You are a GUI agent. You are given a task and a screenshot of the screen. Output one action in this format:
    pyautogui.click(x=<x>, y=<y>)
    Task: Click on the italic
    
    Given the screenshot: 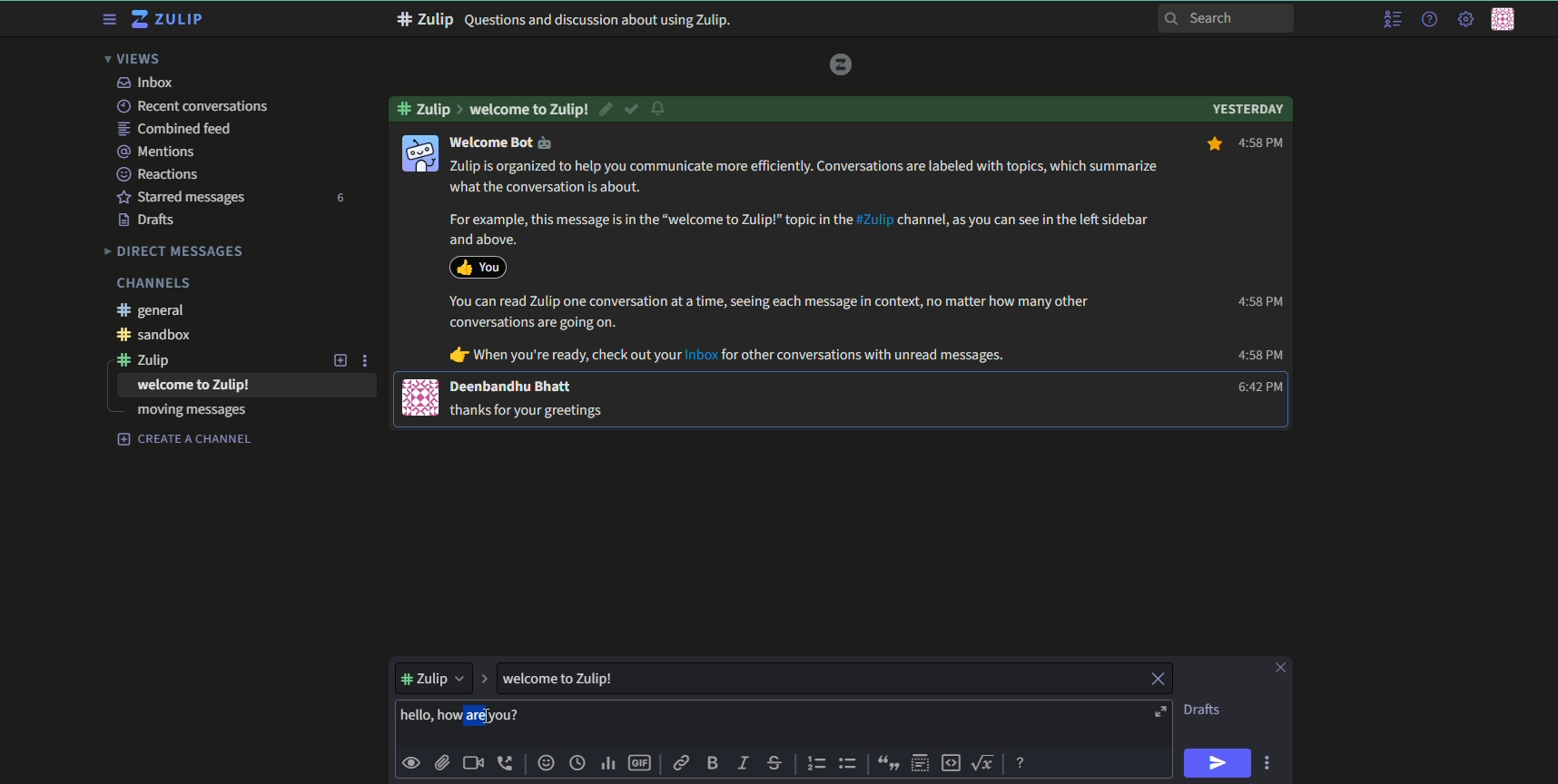 What is the action you would take?
    pyautogui.click(x=742, y=765)
    